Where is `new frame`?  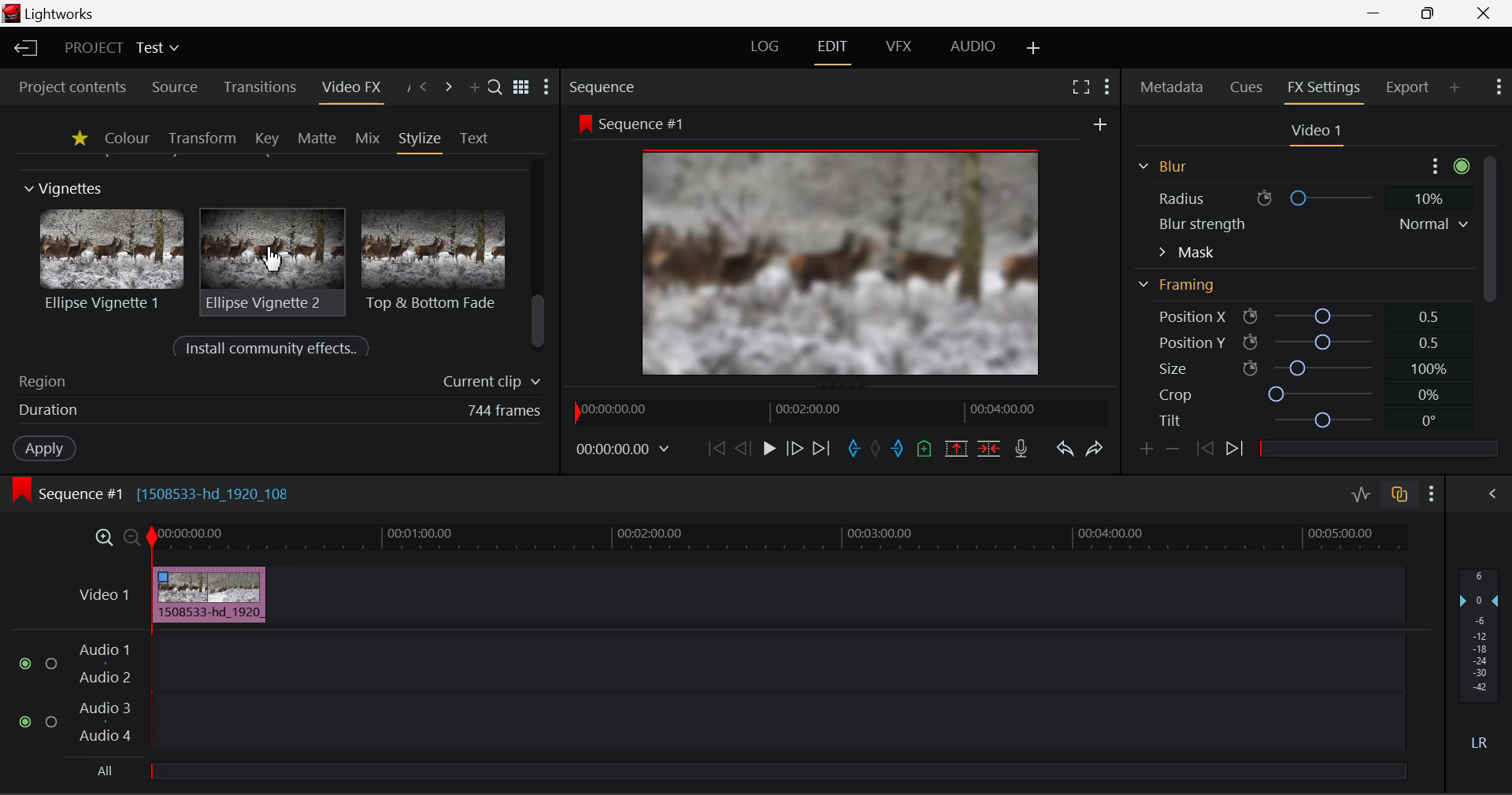 new frame is located at coordinates (1102, 124).